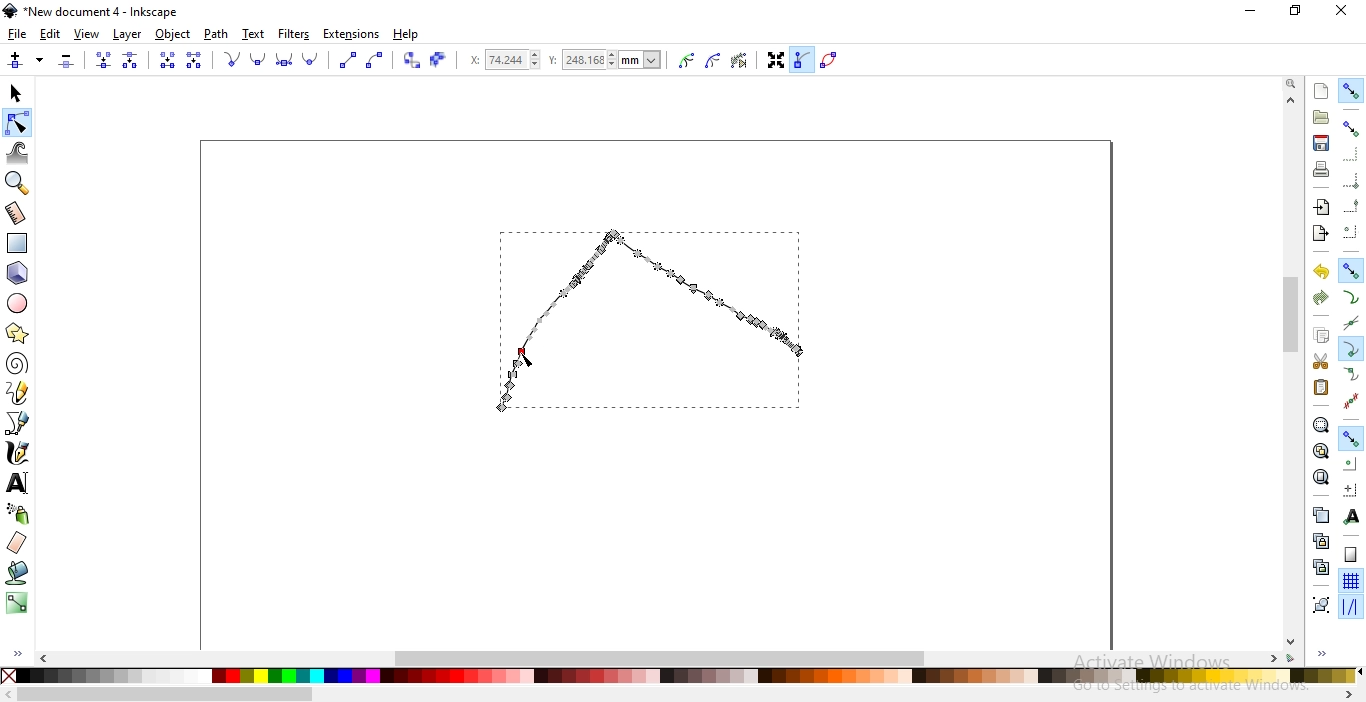 Image resolution: width=1366 pixels, height=702 pixels. Describe the element at coordinates (40, 60) in the screenshot. I see `insert new nodes into selected segments` at that location.